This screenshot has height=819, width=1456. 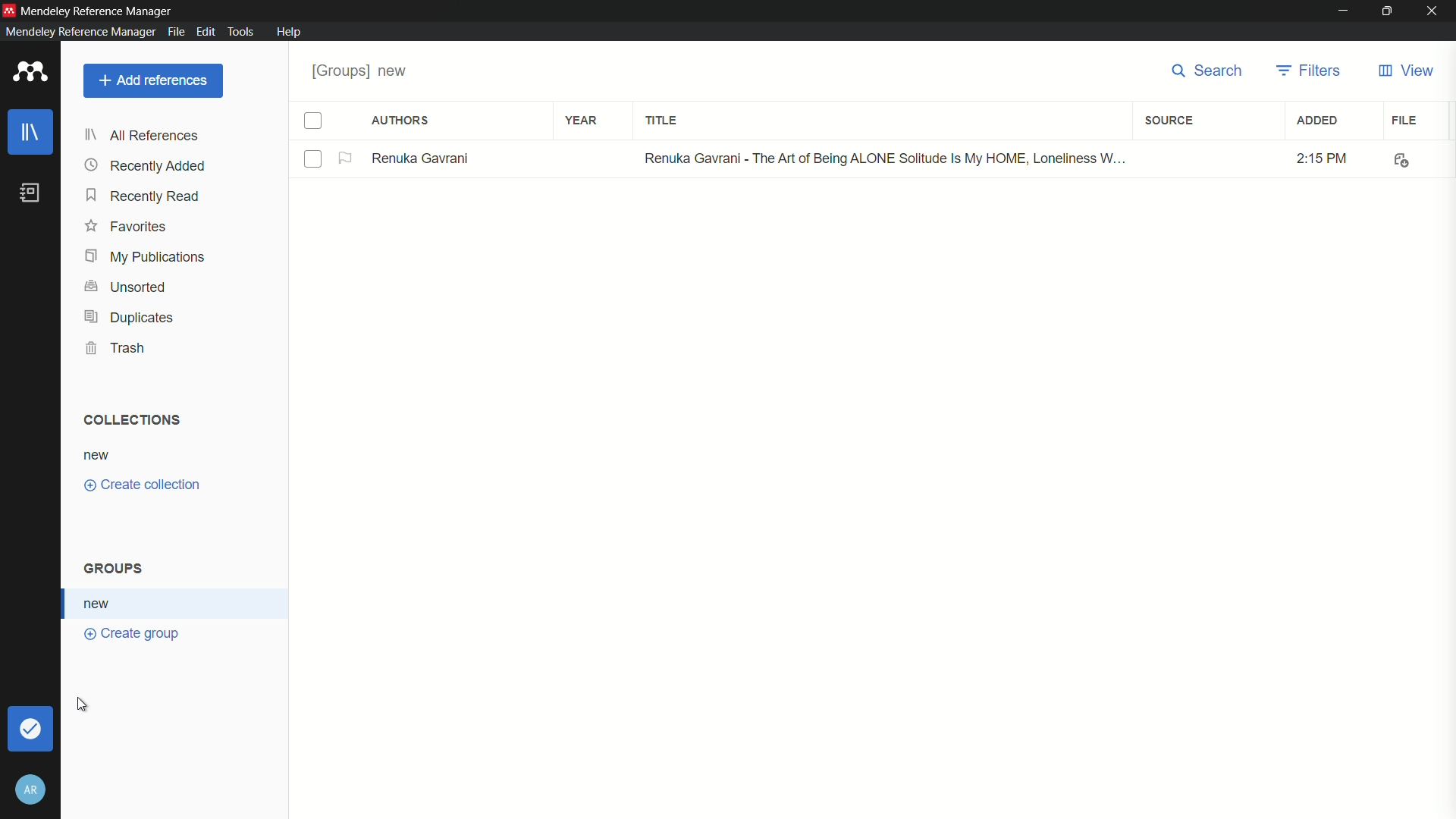 I want to click on Flag, so click(x=347, y=158).